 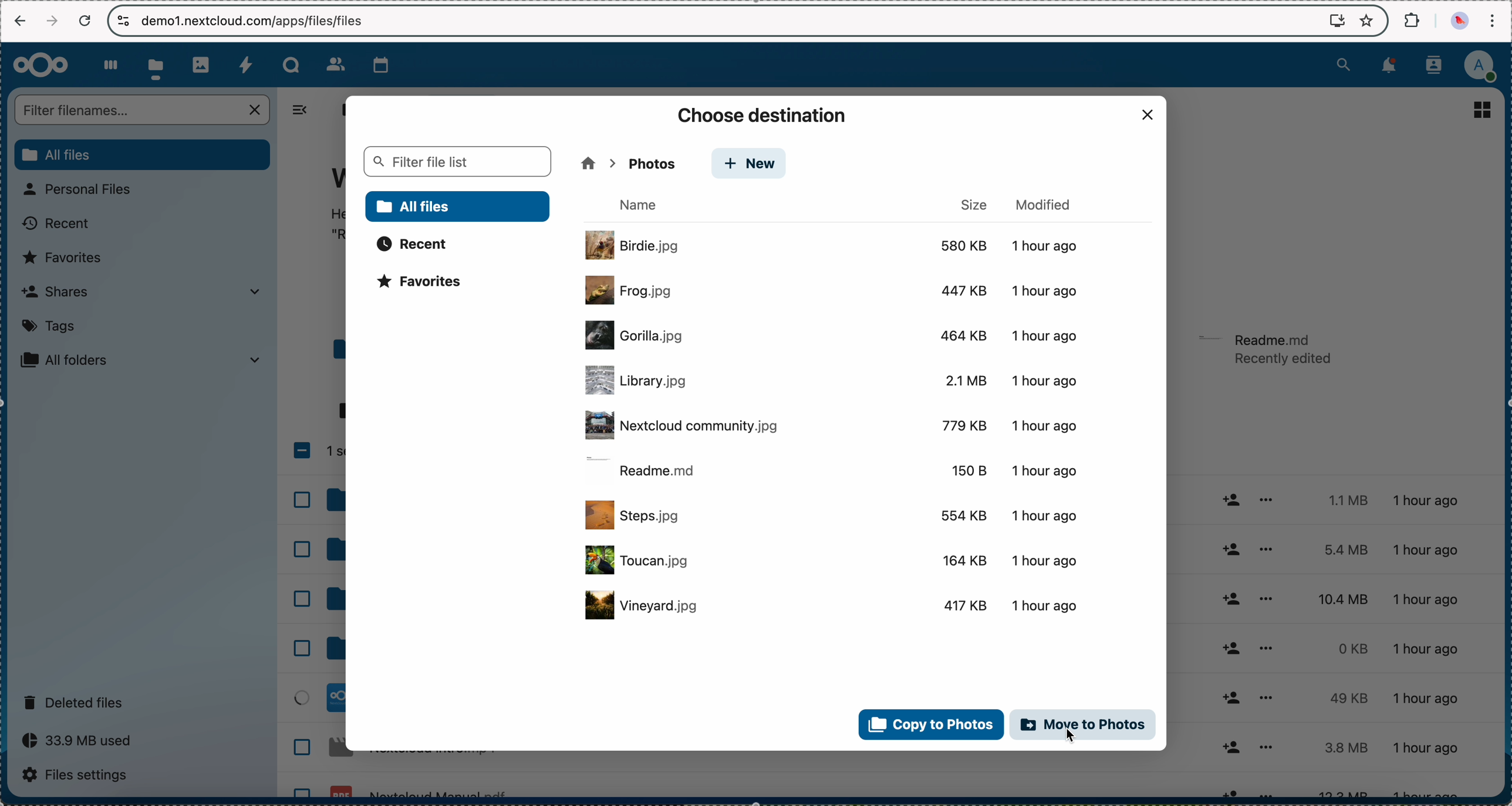 I want to click on files settings, so click(x=78, y=775).